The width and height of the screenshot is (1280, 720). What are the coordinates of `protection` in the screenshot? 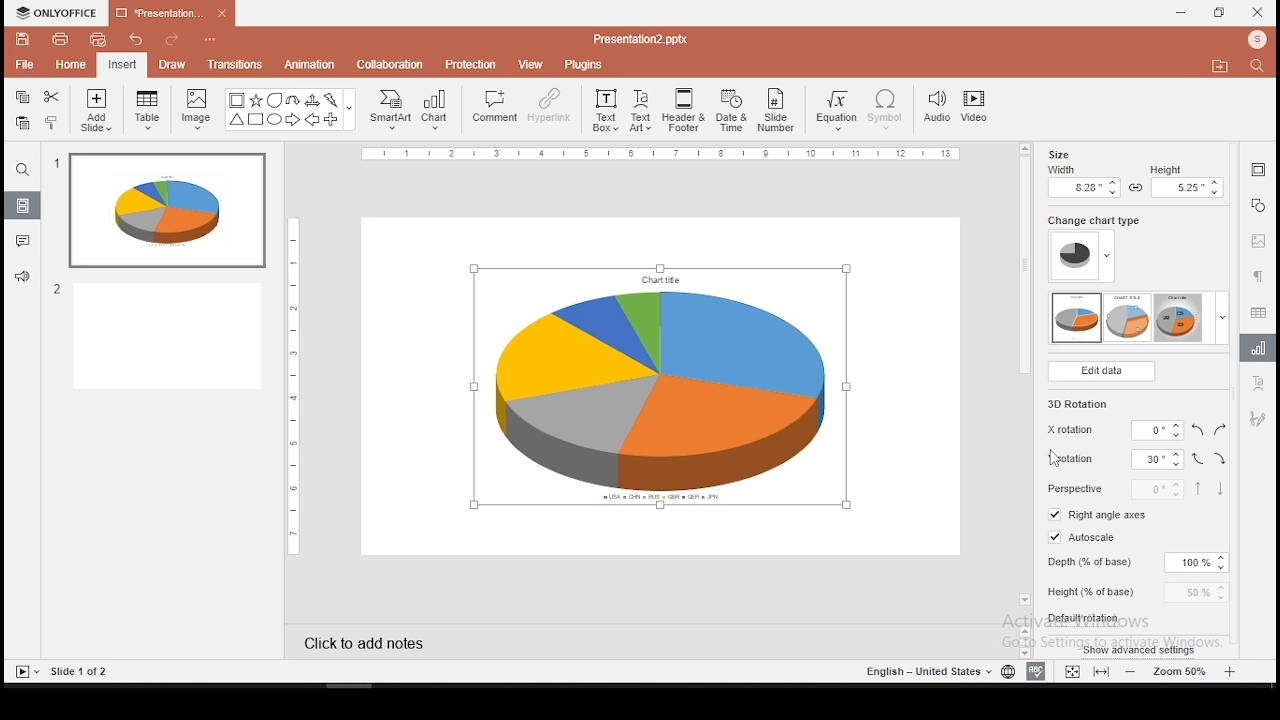 It's located at (472, 65).